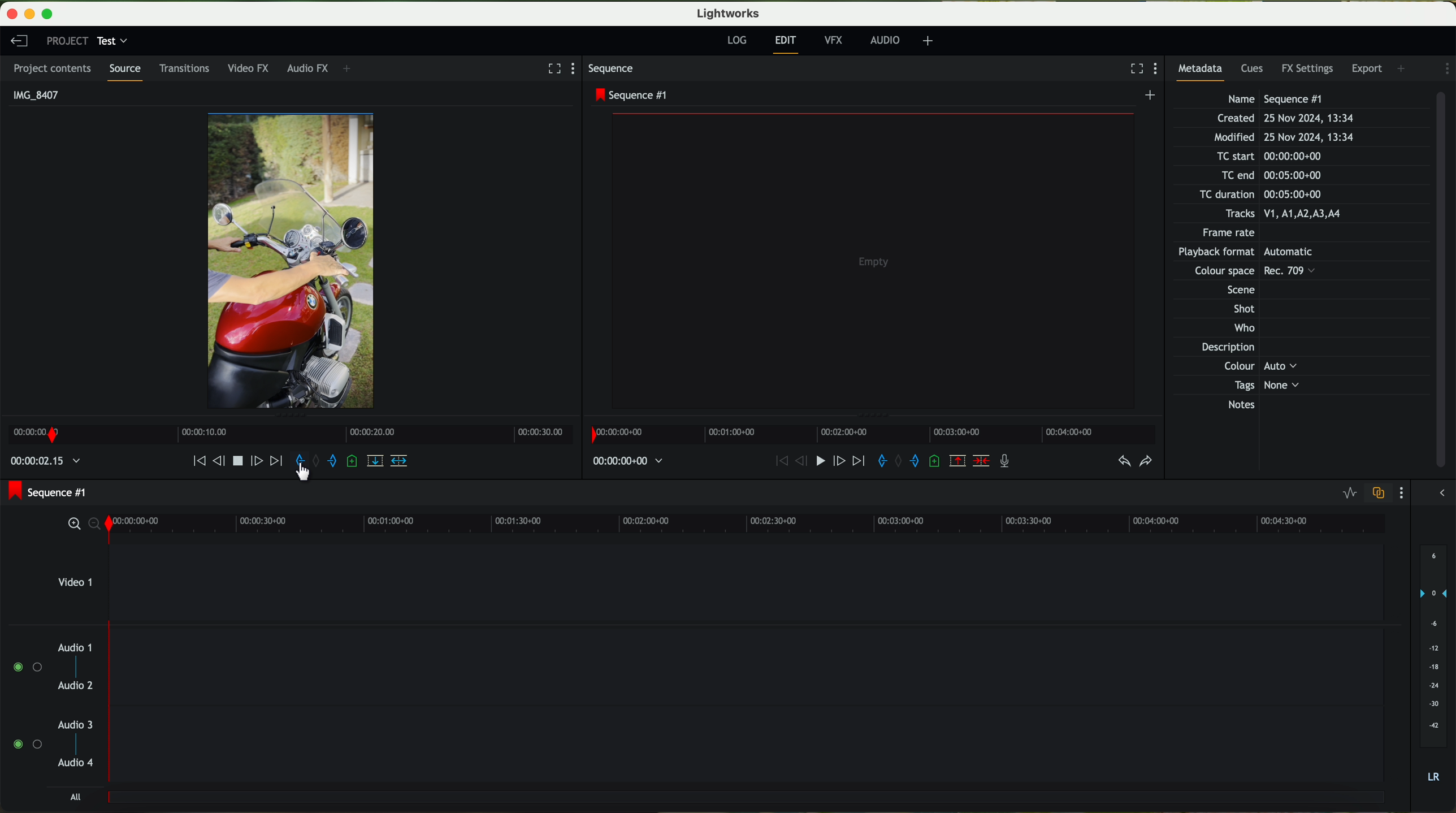  What do you see at coordinates (630, 461) in the screenshot?
I see `time` at bounding box center [630, 461].